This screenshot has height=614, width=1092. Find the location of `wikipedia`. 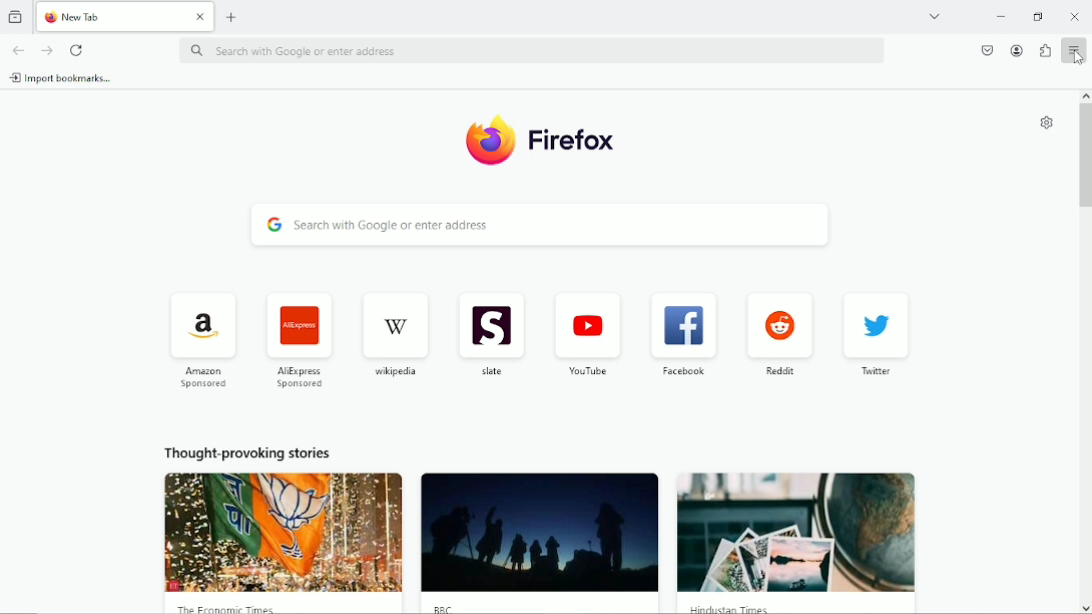

wikipedia is located at coordinates (397, 371).